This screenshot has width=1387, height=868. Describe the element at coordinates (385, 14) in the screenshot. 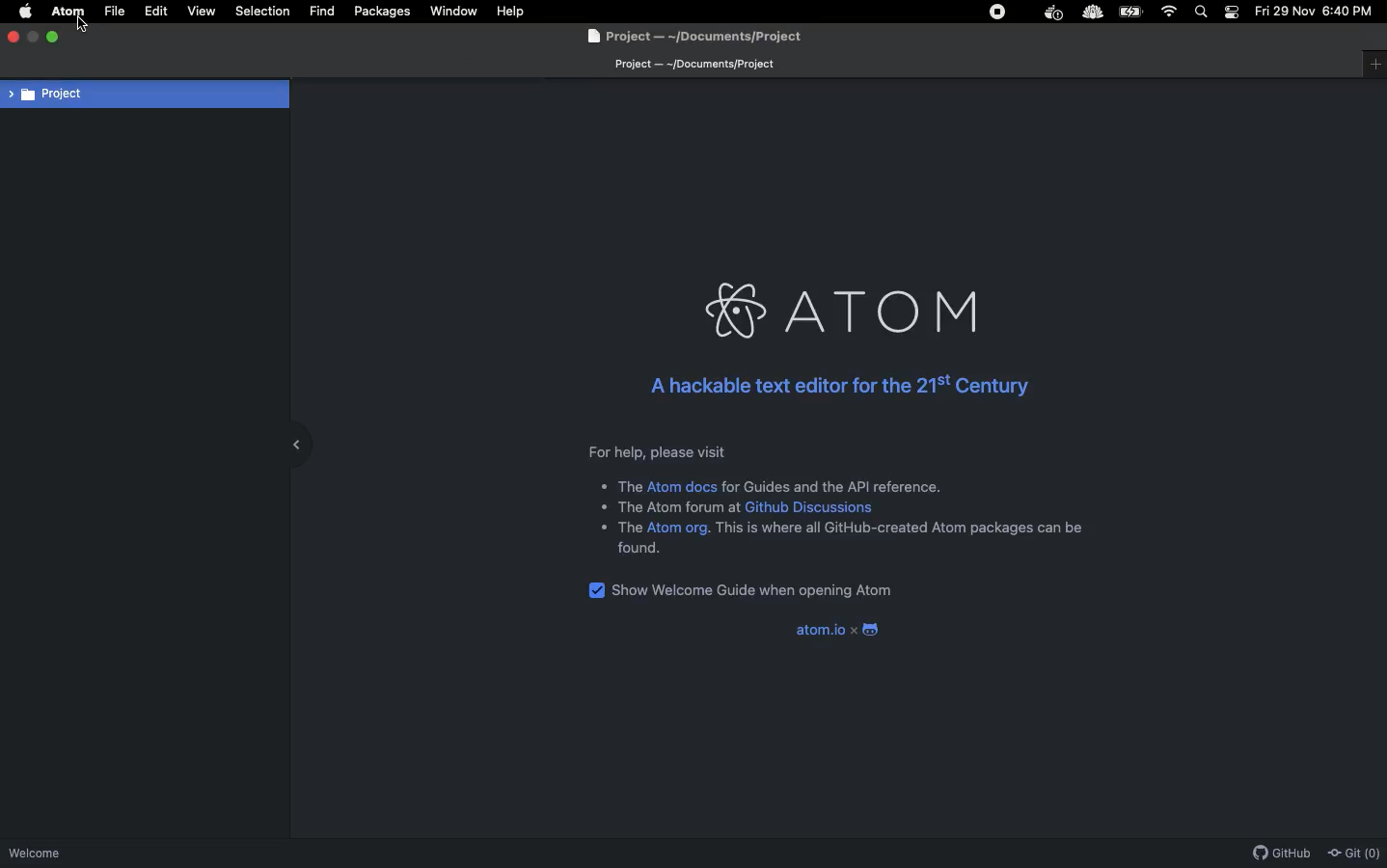

I see `Packages` at that location.